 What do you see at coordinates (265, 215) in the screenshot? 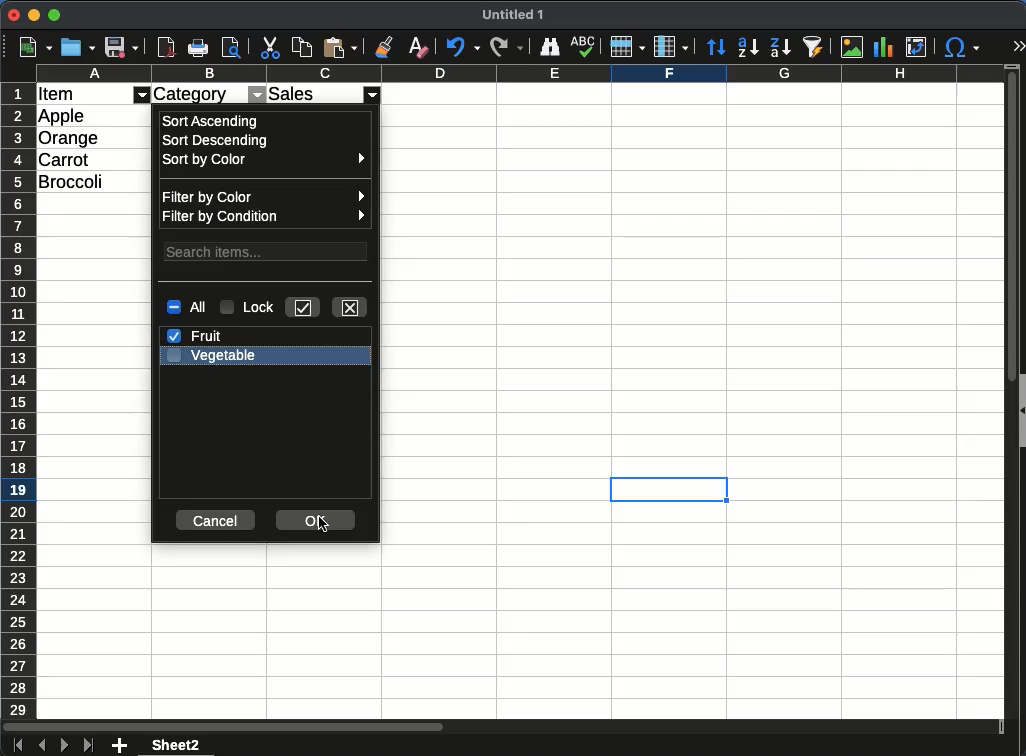
I see `filter by condition` at bounding box center [265, 215].